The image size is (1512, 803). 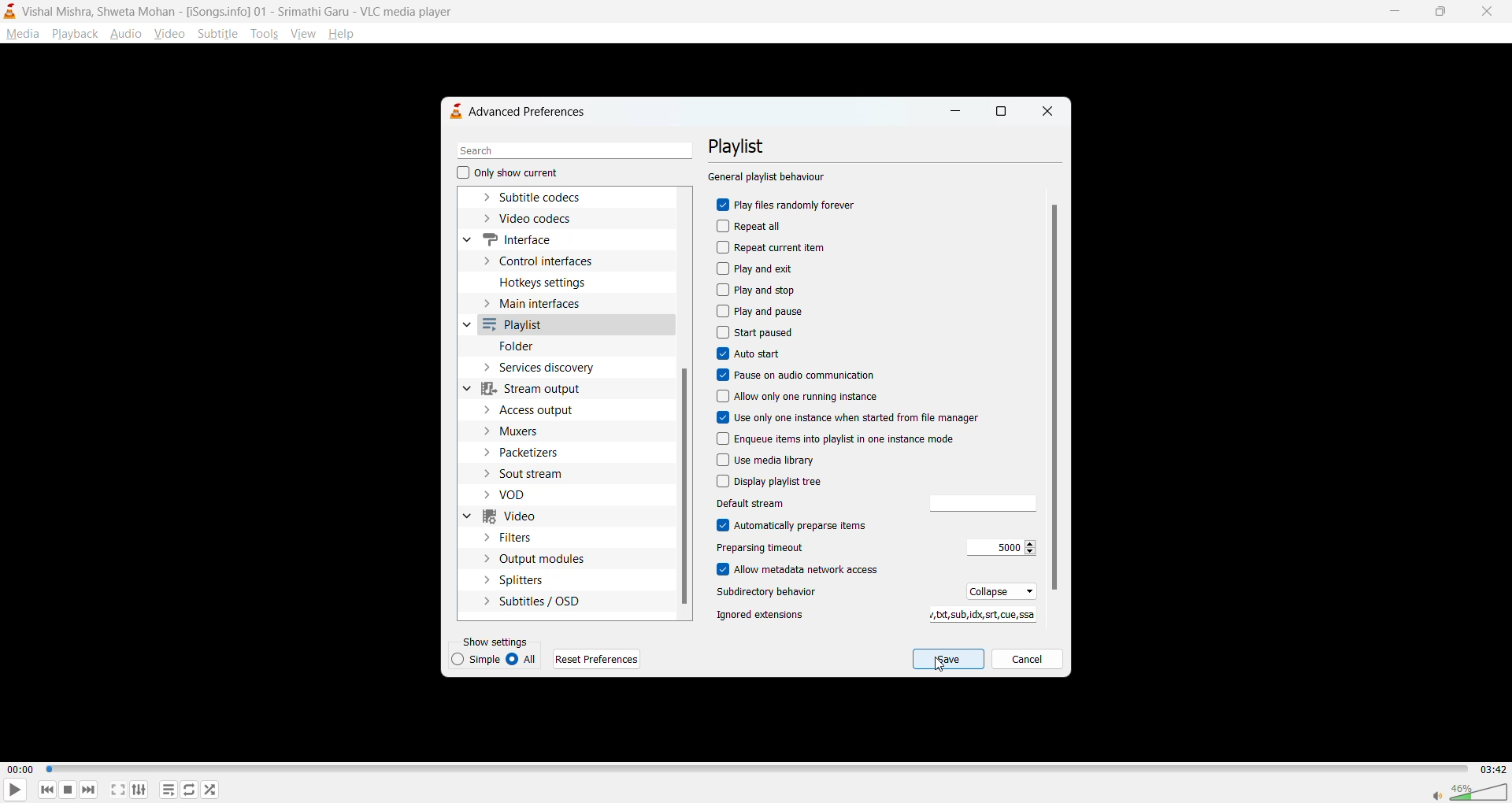 What do you see at coordinates (508, 174) in the screenshot?
I see `only show current` at bounding box center [508, 174].